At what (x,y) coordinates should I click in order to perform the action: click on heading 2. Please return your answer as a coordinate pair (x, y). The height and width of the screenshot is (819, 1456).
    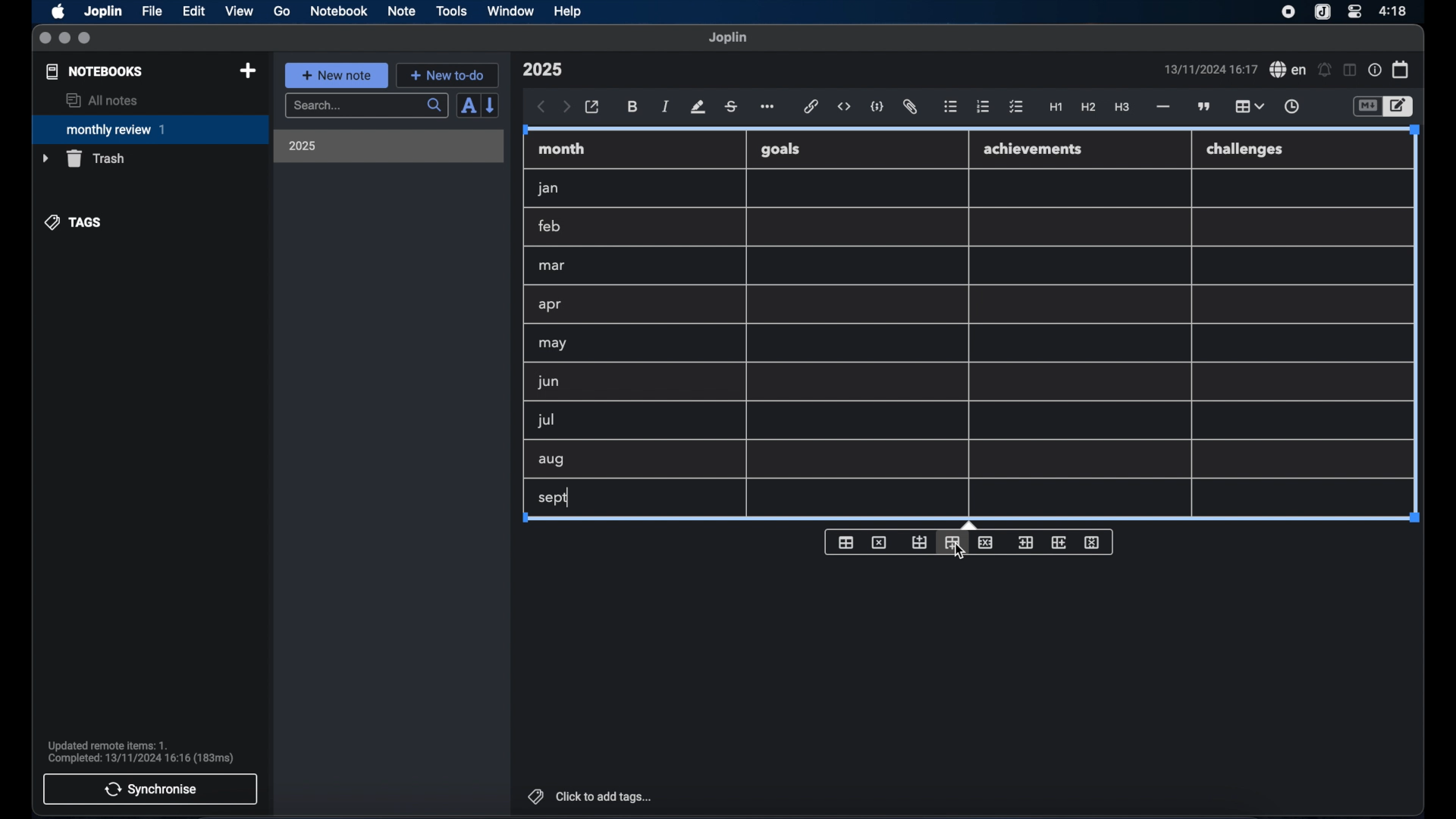
    Looking at the image, I should click on (1089, 108).